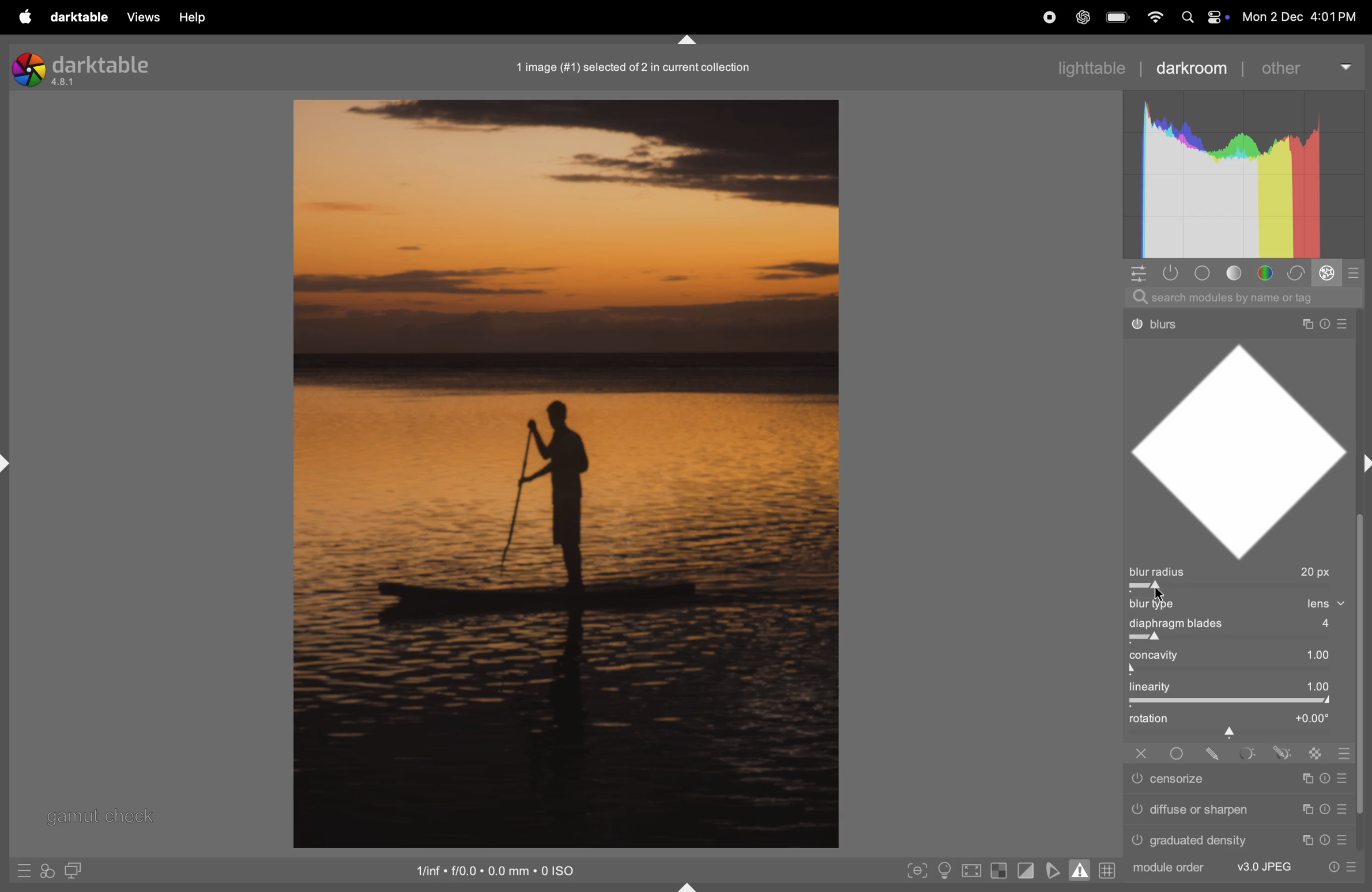 The width and height of the screenshot is (1372, 892). What do you see at coordinates (1247, 754) in the screenshot?
I see `` at bounding box center [1247, 754].